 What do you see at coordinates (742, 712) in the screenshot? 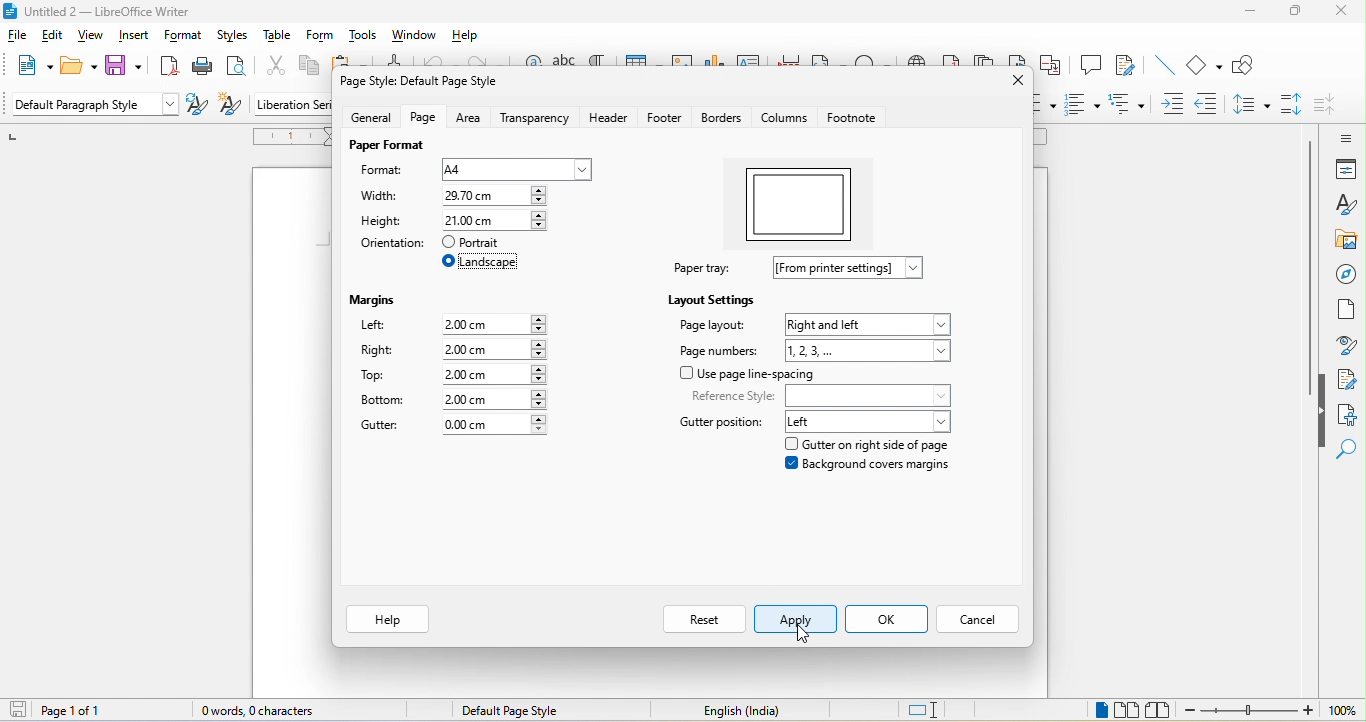
I see `text language` at bounding box center [742, 712].